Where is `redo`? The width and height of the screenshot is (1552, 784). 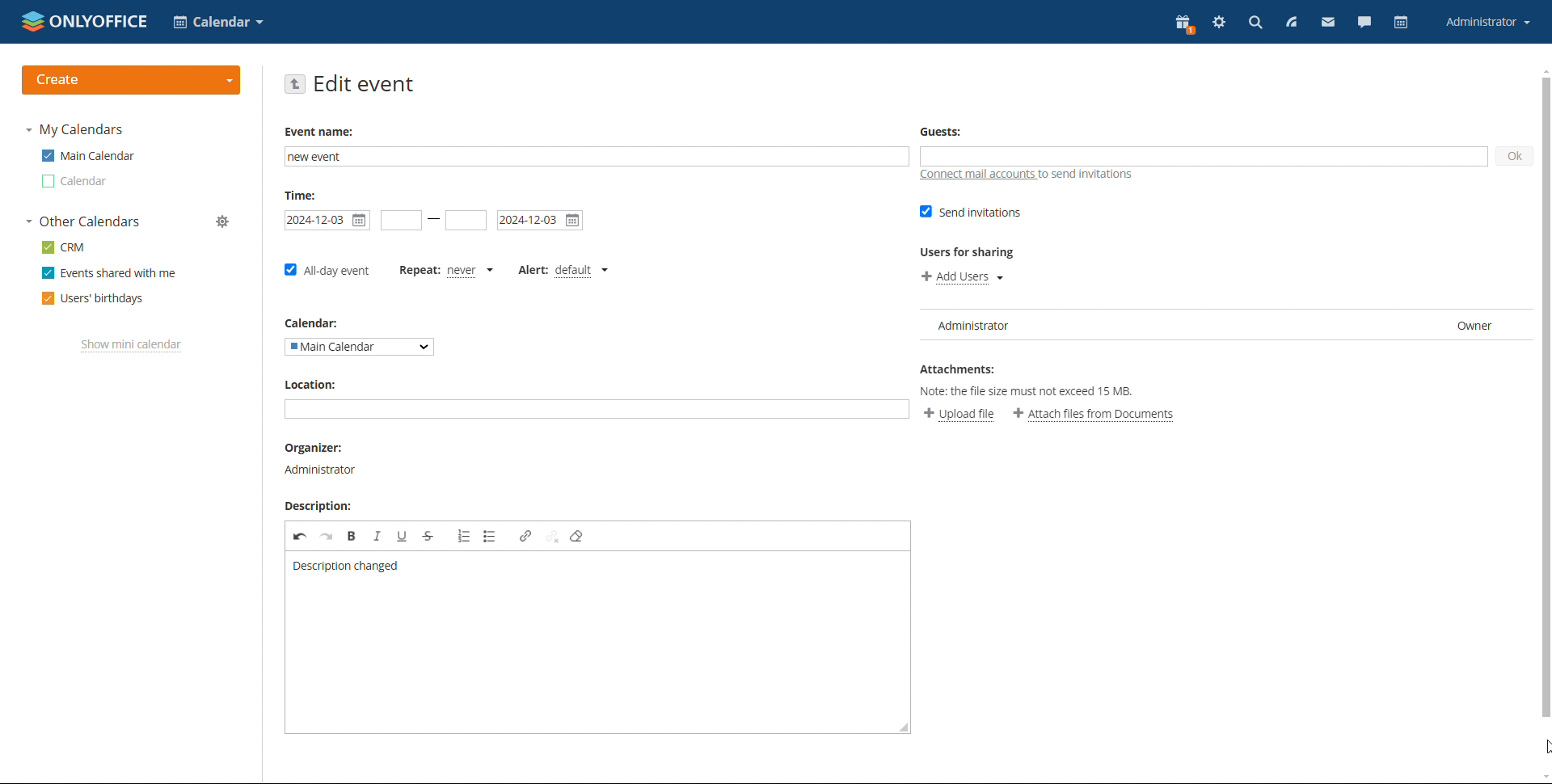 redo is located at coordinates (327, 536).